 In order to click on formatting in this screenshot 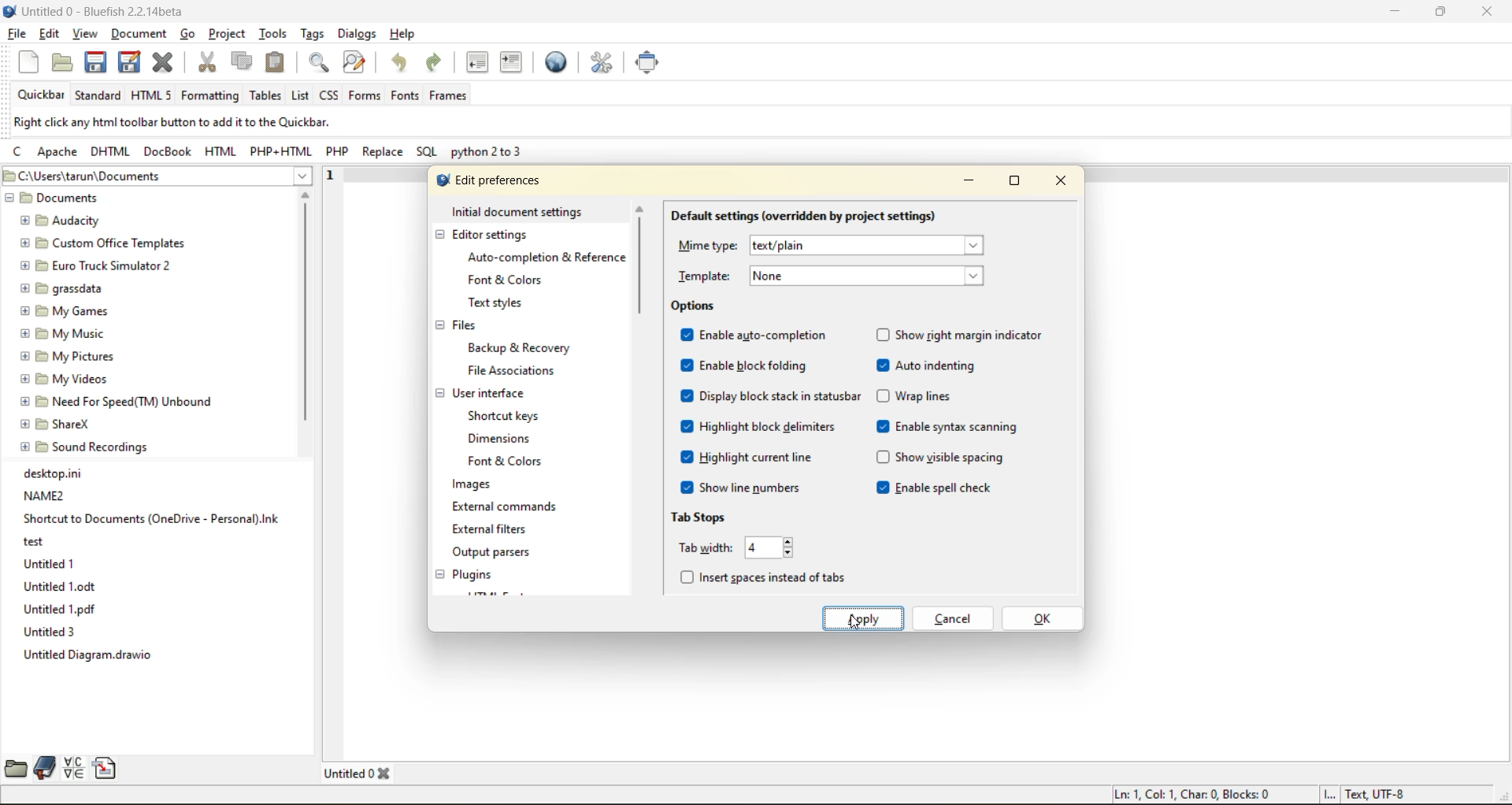, I will do `click(210, 97)`.